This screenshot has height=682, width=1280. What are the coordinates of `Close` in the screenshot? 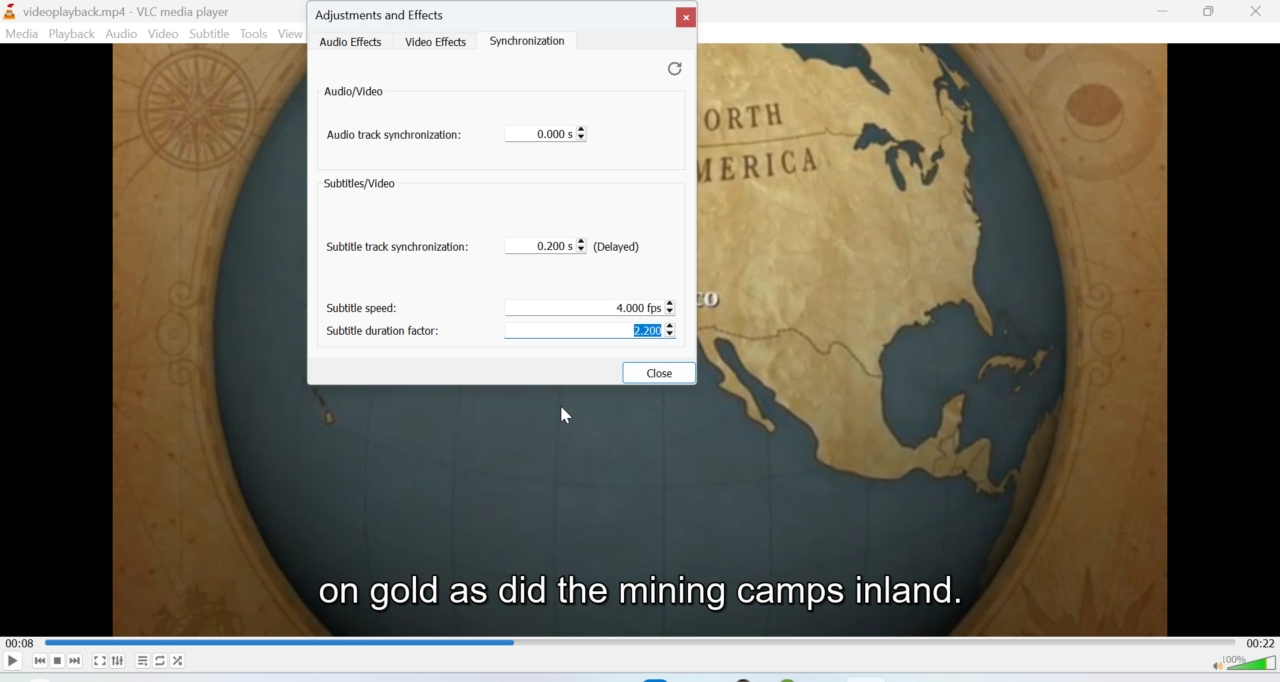 It's located at (1258, 11).